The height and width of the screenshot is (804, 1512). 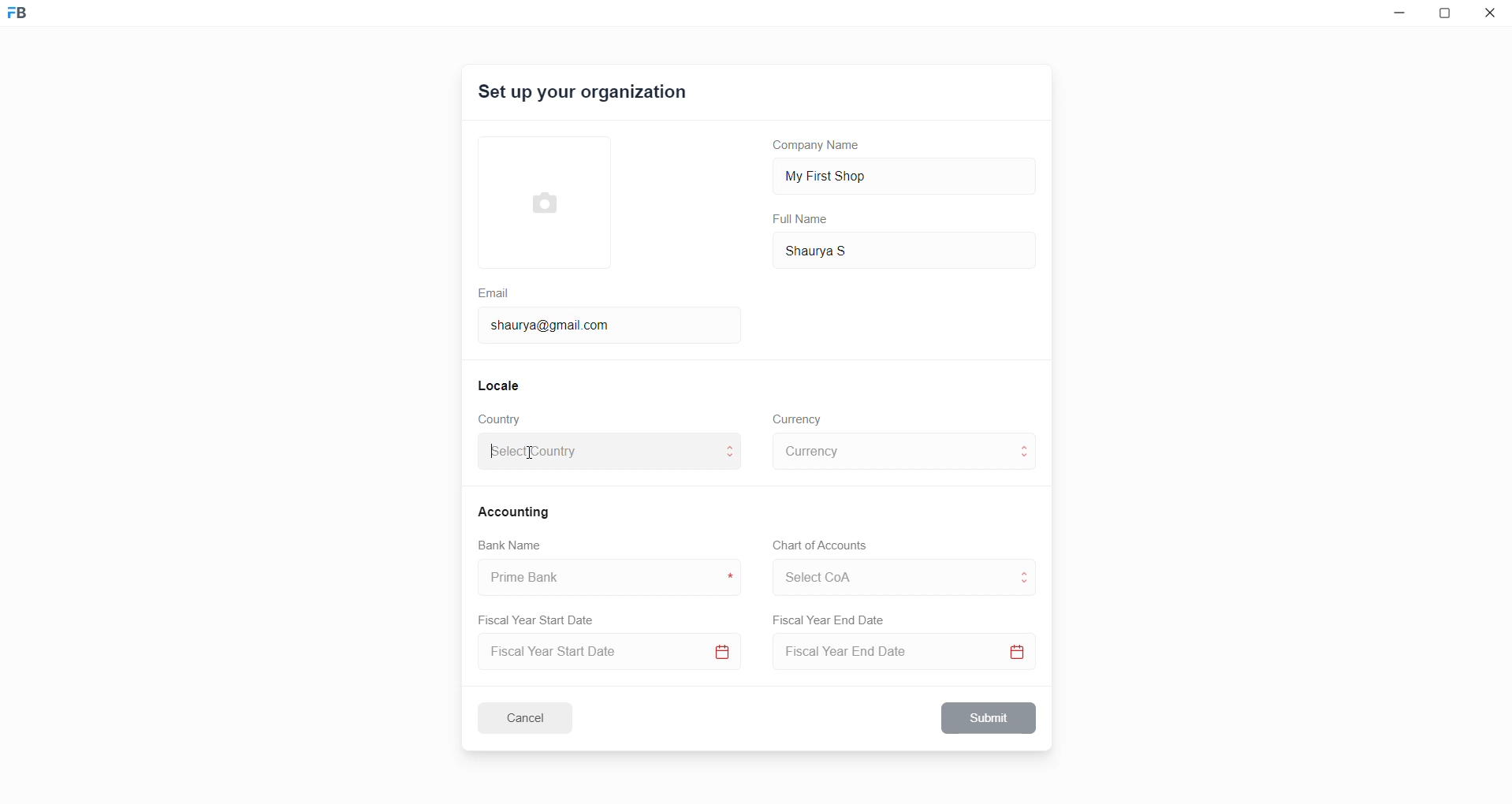 What do you see at coordinates (891, 450) in the screenshot?
I see `select currency` at bounding box center [891, 450].